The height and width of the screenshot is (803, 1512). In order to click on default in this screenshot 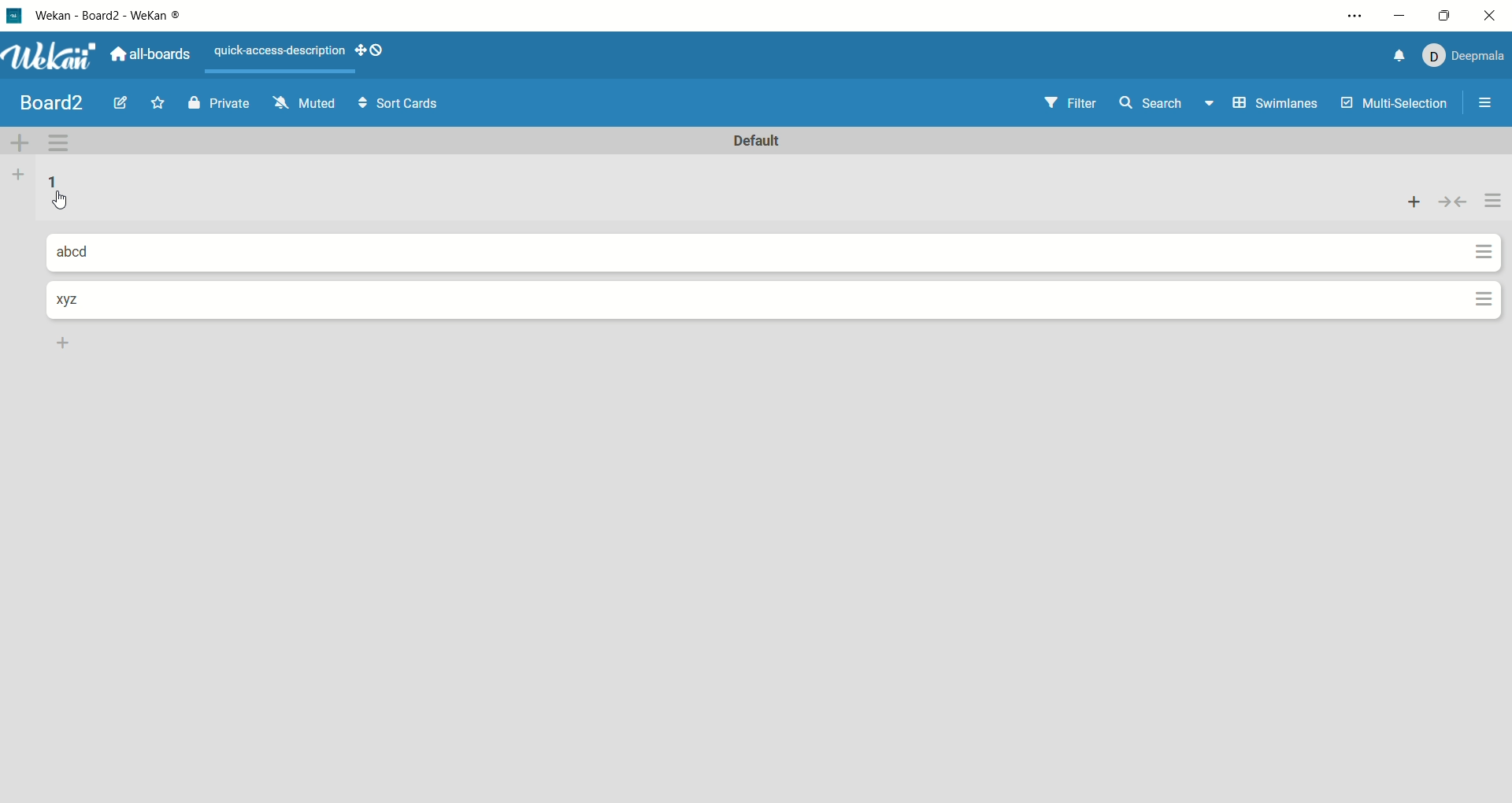, I will do `click(763, 142)`.